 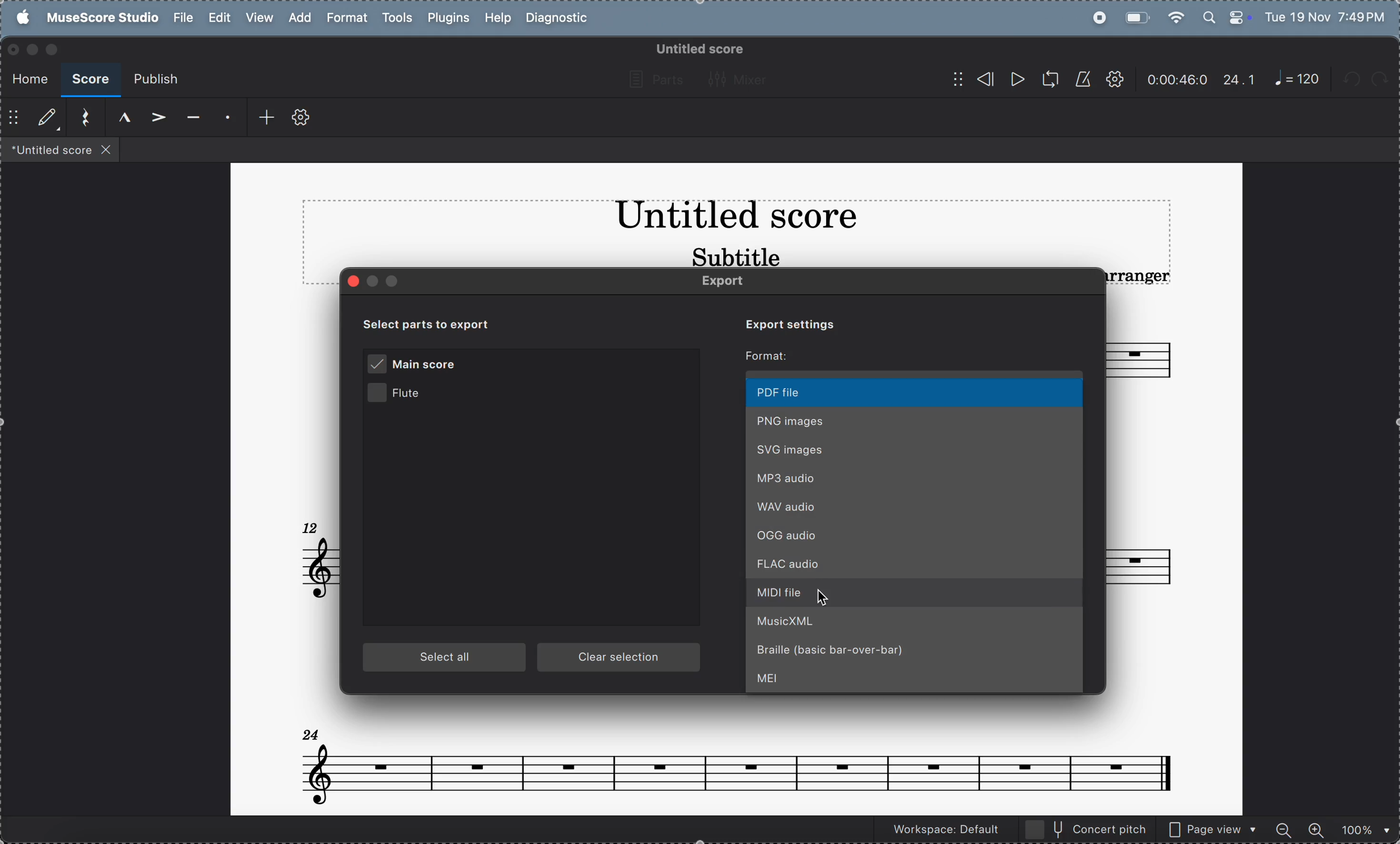 I want to click on diagnostic, so click(x=560, y=19).